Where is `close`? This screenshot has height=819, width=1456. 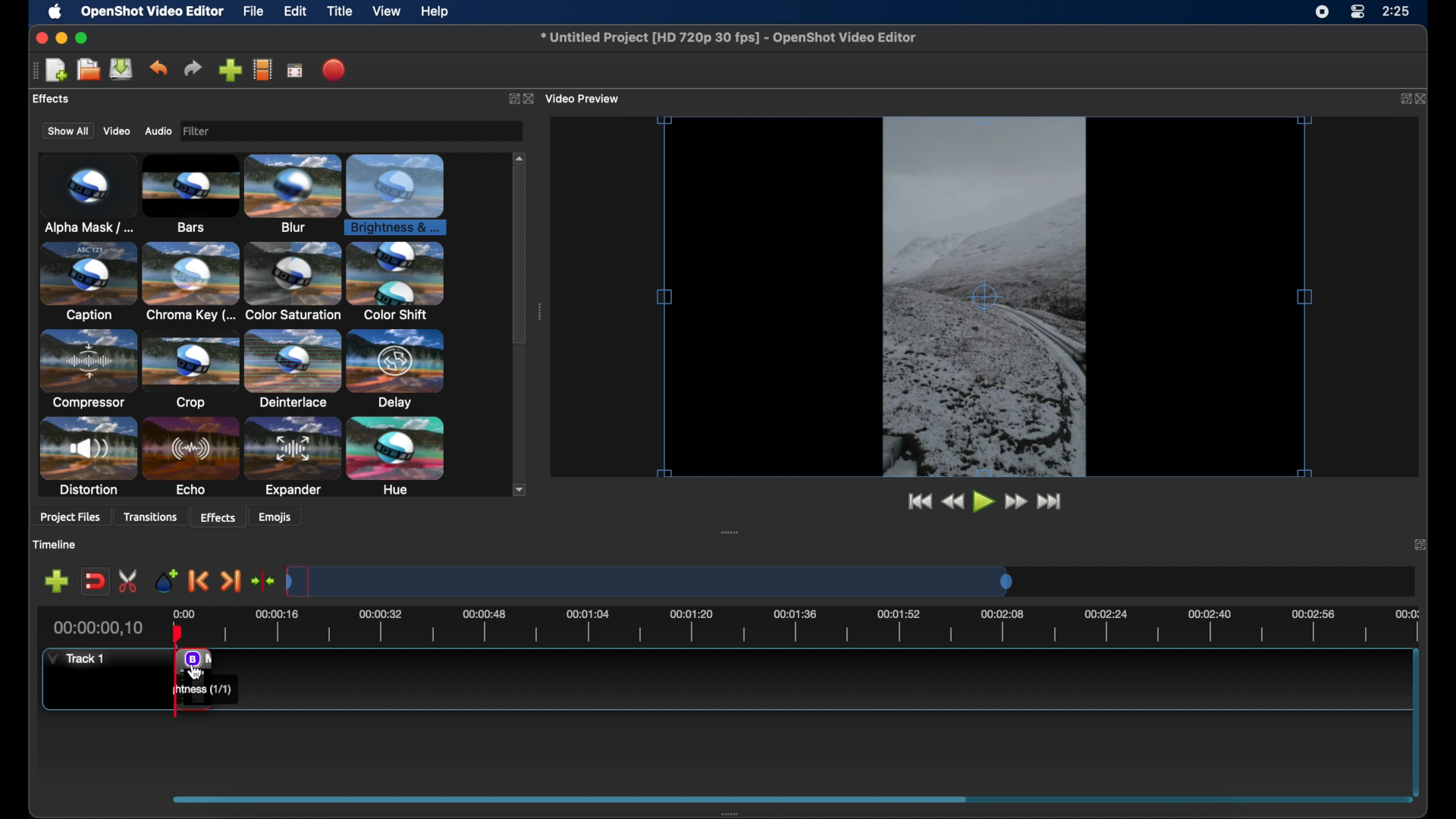 close is located at coordinates (38, 38).